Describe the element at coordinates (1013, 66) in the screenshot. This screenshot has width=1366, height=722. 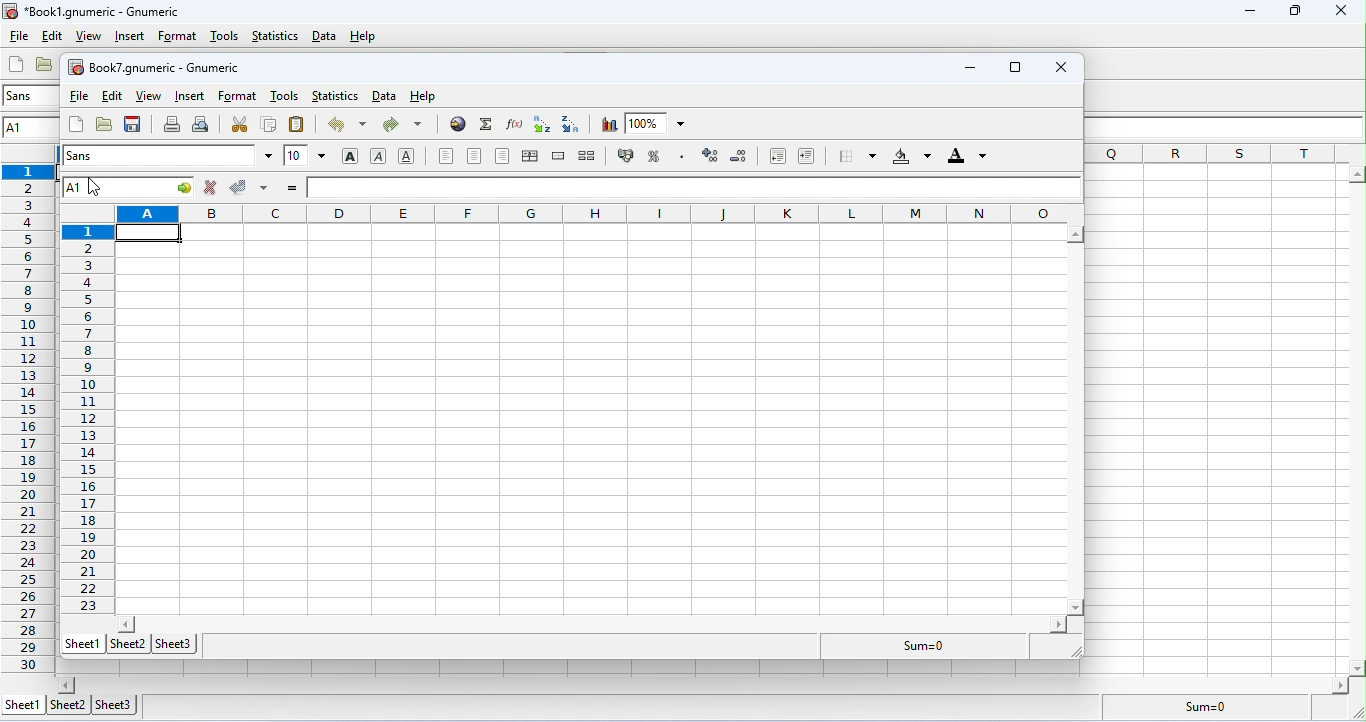
I see `maximize` at that location.